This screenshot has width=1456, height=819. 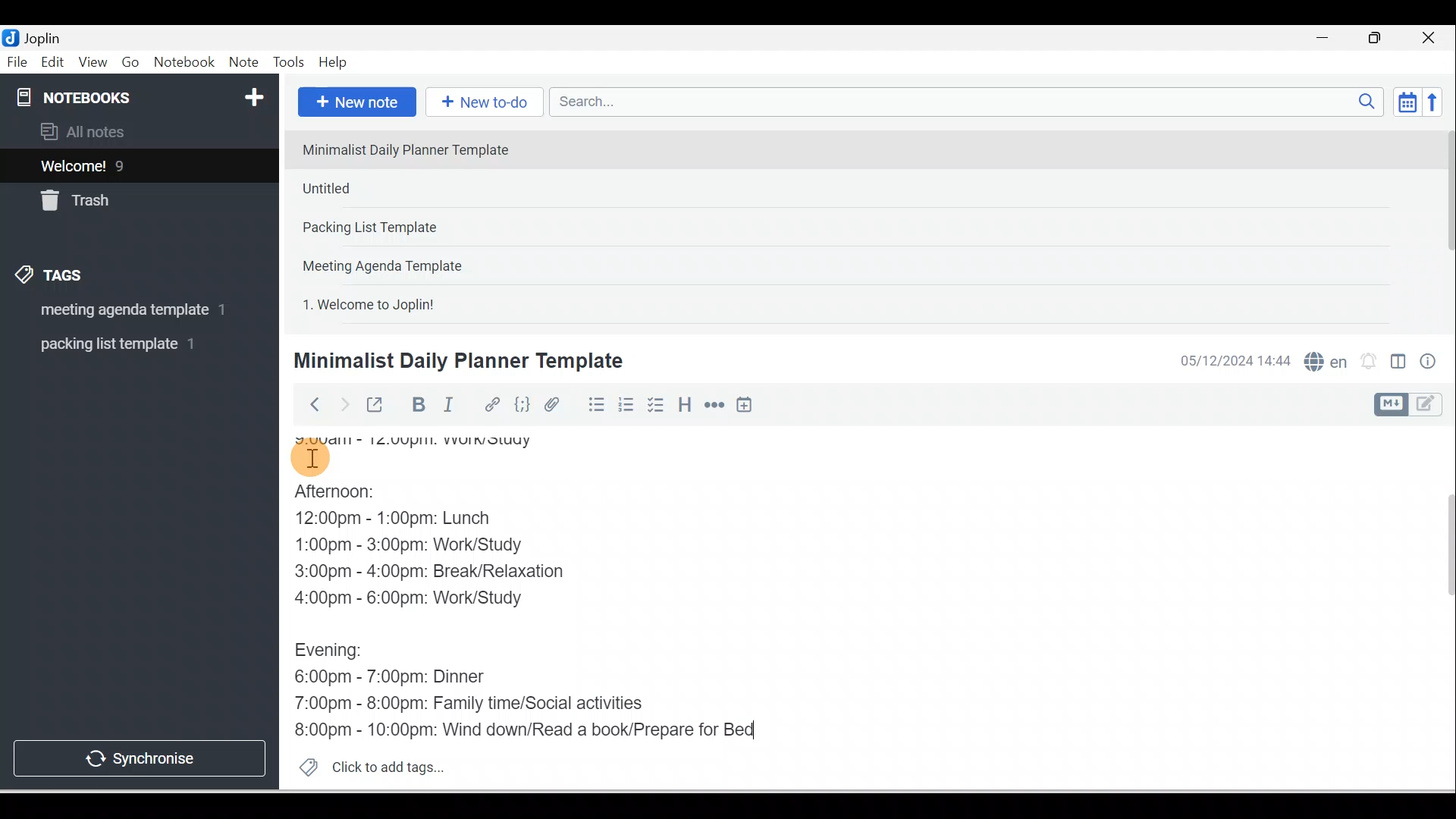 What do you see at coordinates (111, 196) in the screenshot?
I see `Trash` at bounding box center [111, 196].